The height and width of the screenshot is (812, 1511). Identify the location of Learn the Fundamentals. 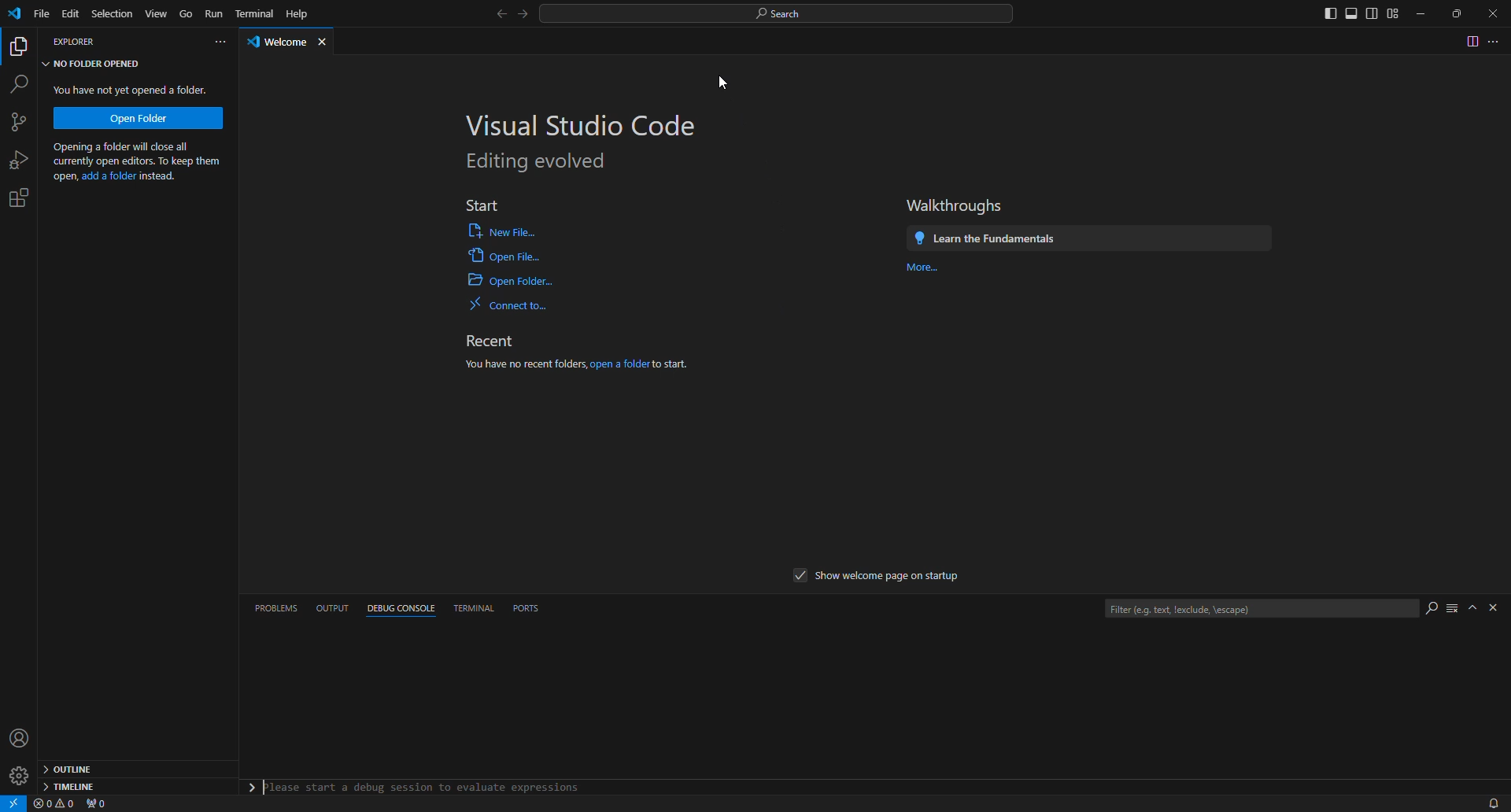
(1087, 239).